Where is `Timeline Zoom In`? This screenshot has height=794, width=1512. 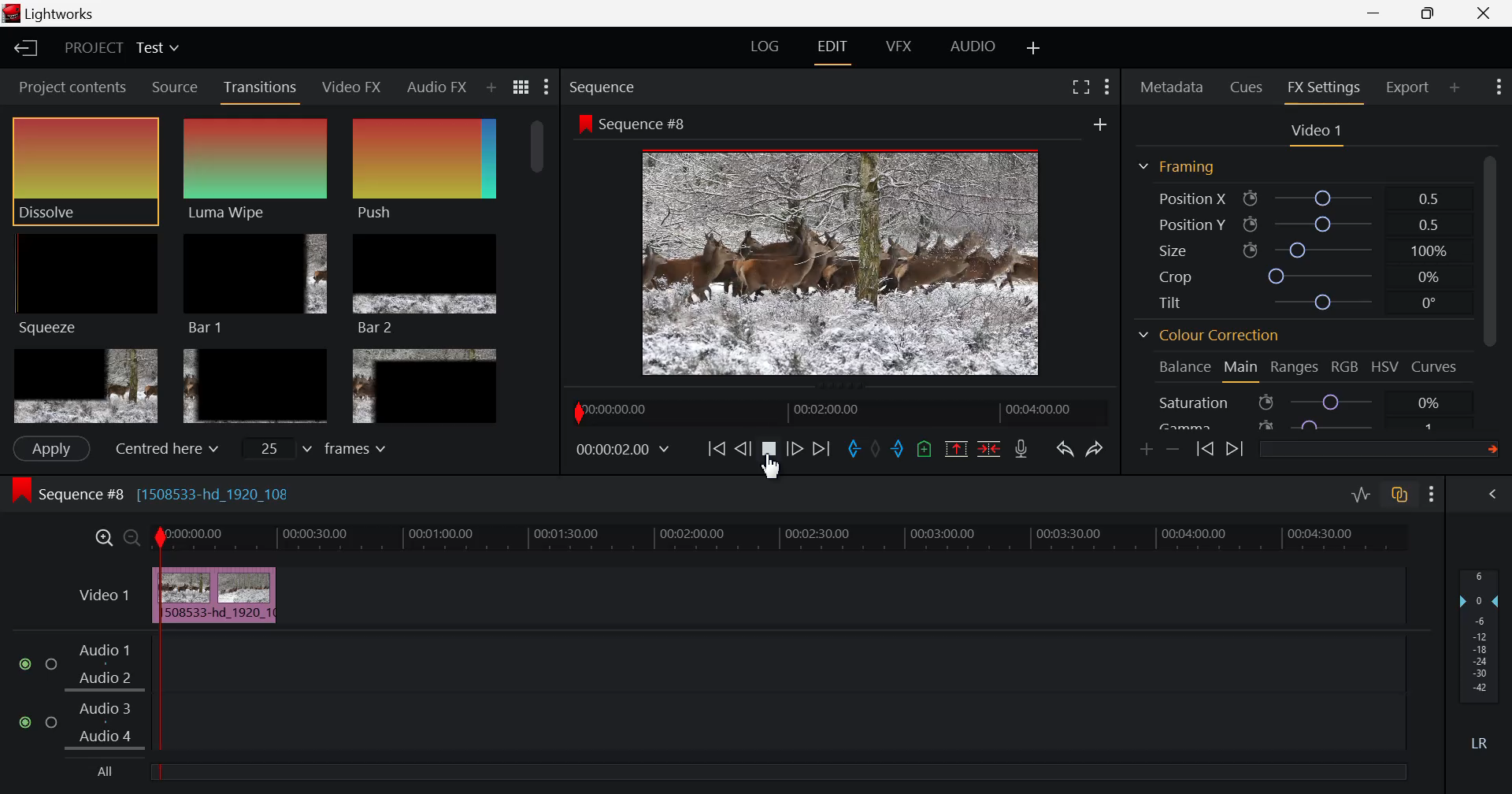
Timeline Zoom In is located at coordinates (105, 538).